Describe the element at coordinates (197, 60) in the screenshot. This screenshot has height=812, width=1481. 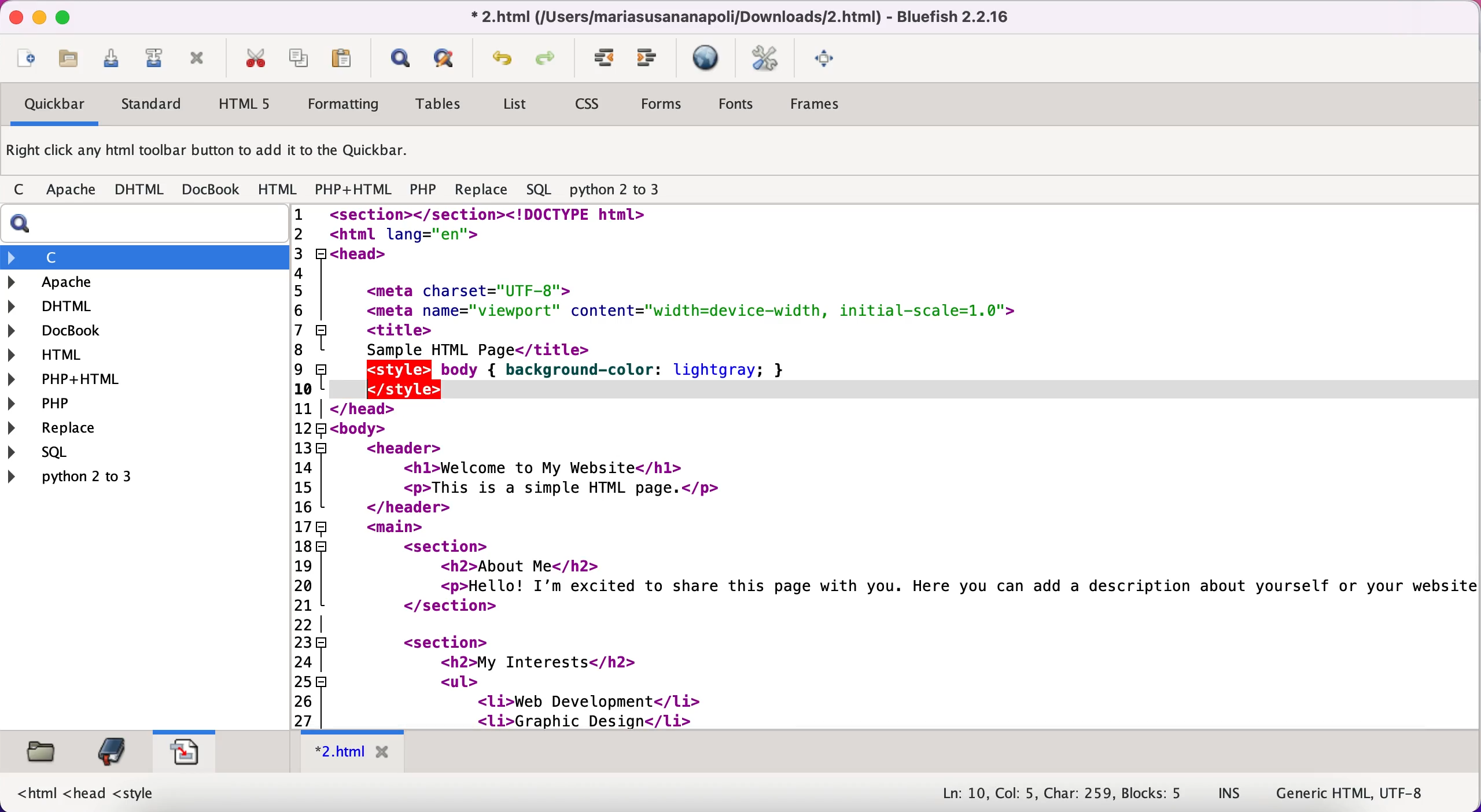
I see `close current file` at that location.